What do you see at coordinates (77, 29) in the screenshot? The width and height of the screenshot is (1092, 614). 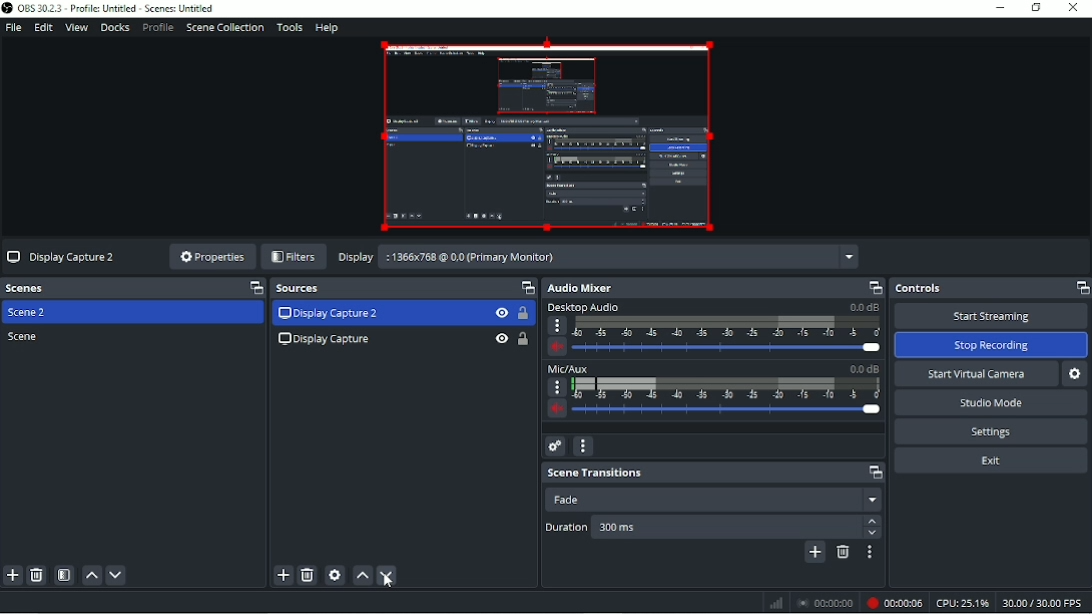 I see `View` at bounding box center [77, 29].